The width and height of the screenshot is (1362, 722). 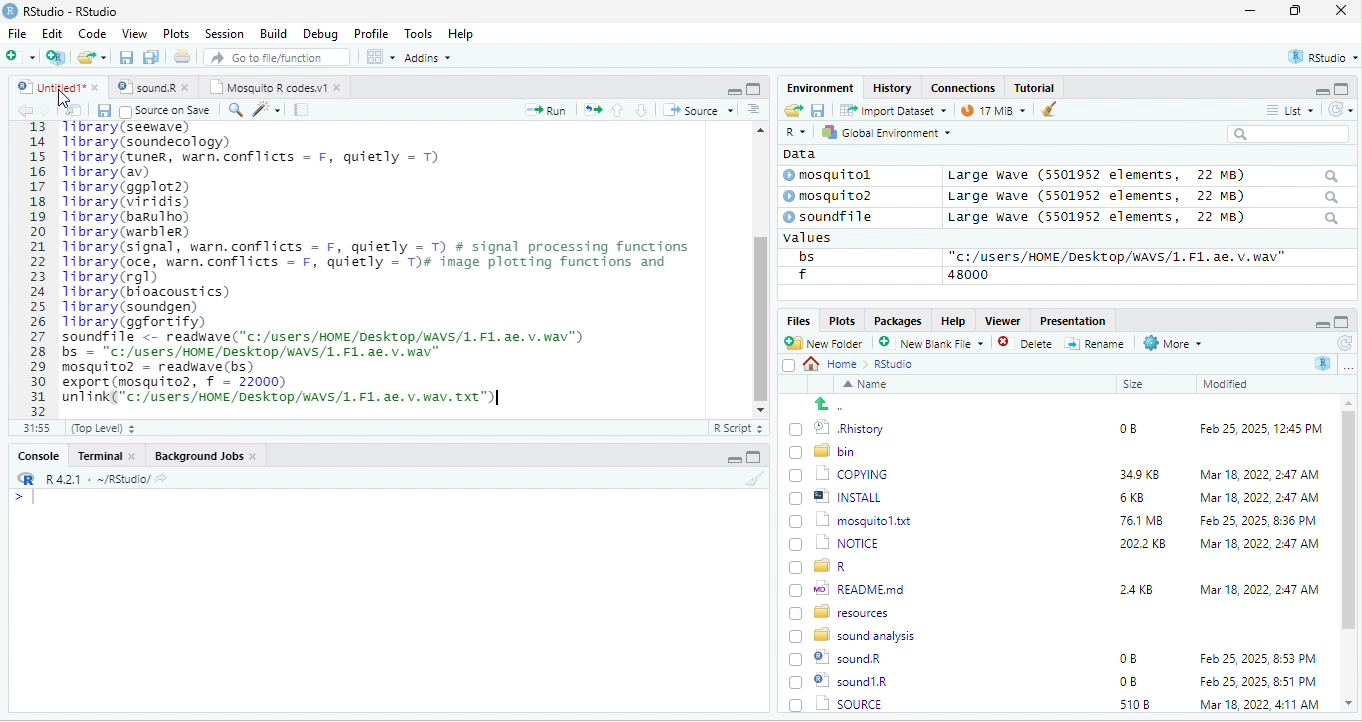 What do you see at coordinates (94, 57) in the screenshot?
I see `folder` at bounding box center [94, 57].